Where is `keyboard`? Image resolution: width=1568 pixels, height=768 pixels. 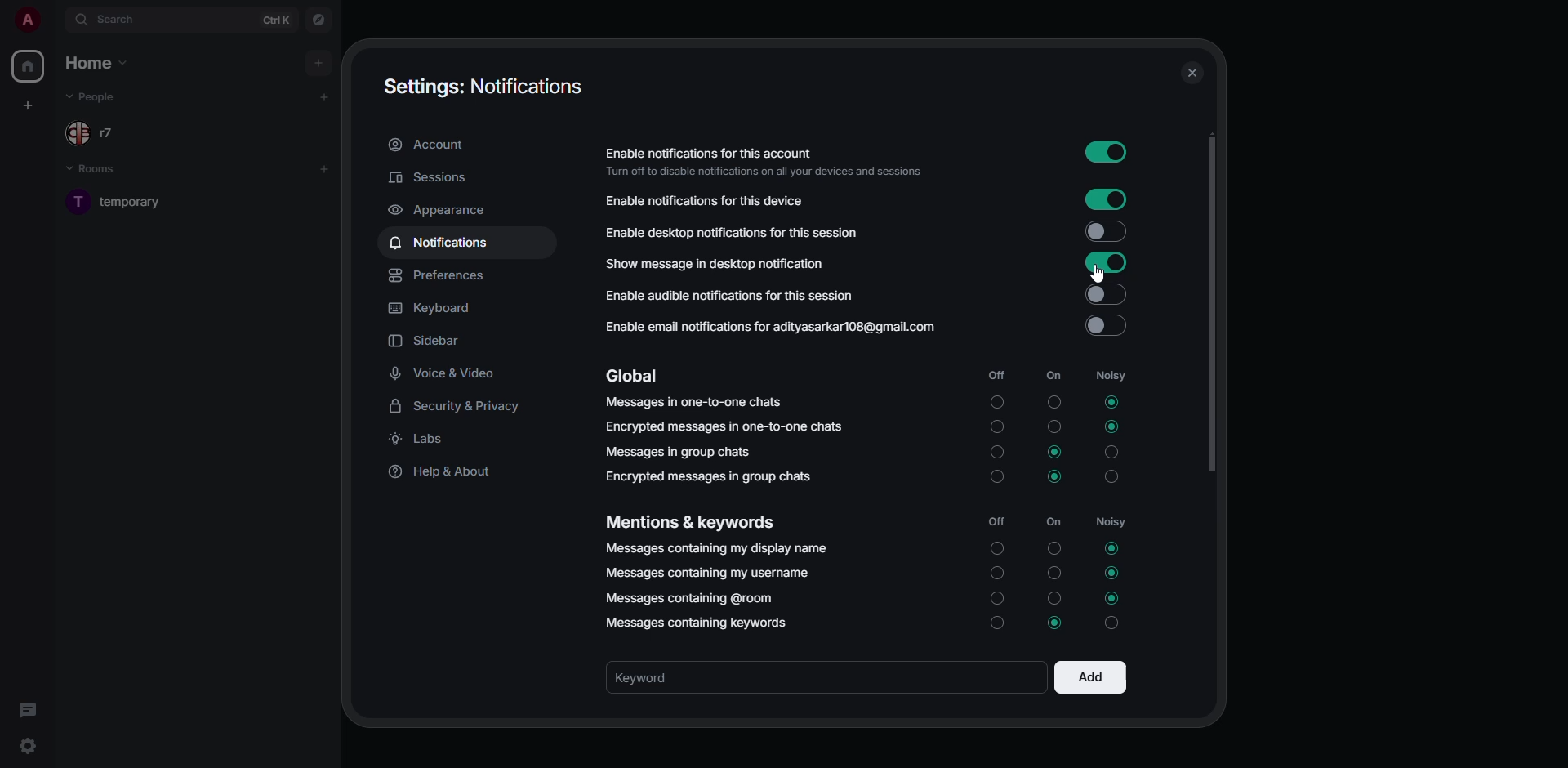 keyboard is located at coordinates (432, 310).